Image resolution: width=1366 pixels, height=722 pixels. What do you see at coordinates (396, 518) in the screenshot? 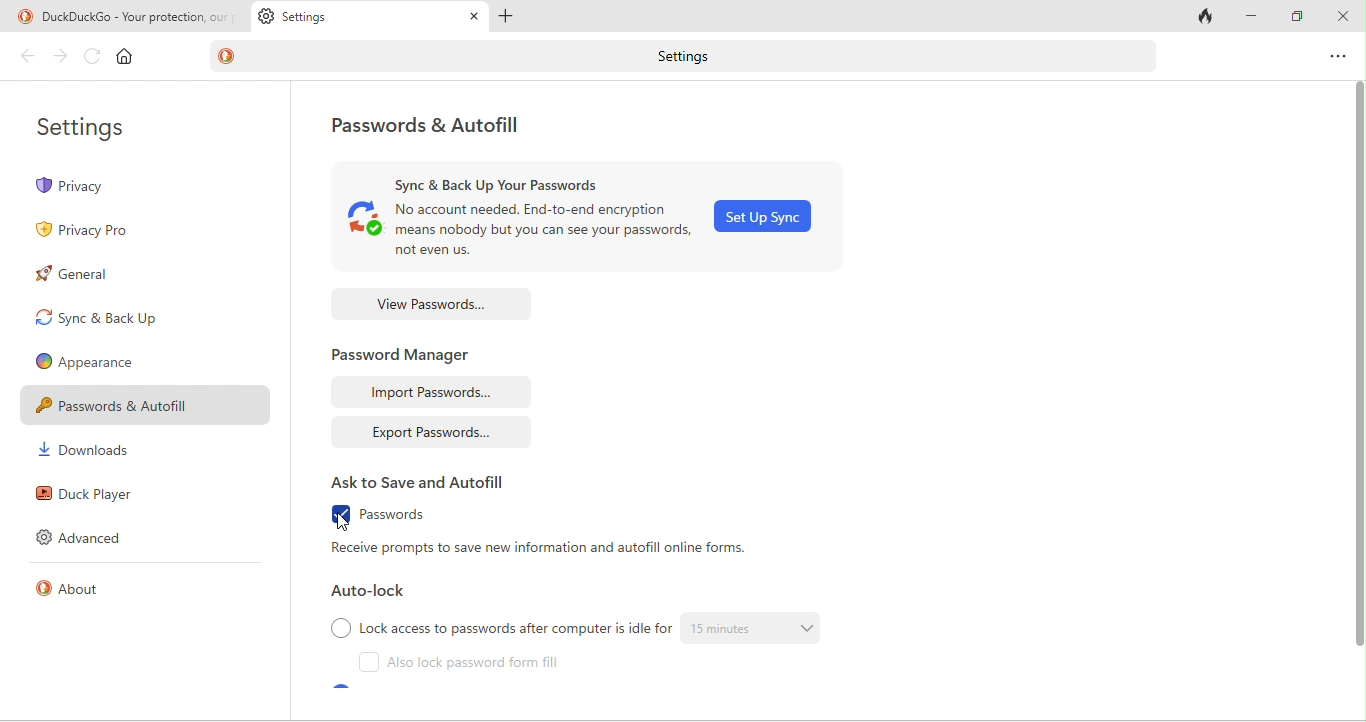
I see `passwords` at bounding box center [396, 518].